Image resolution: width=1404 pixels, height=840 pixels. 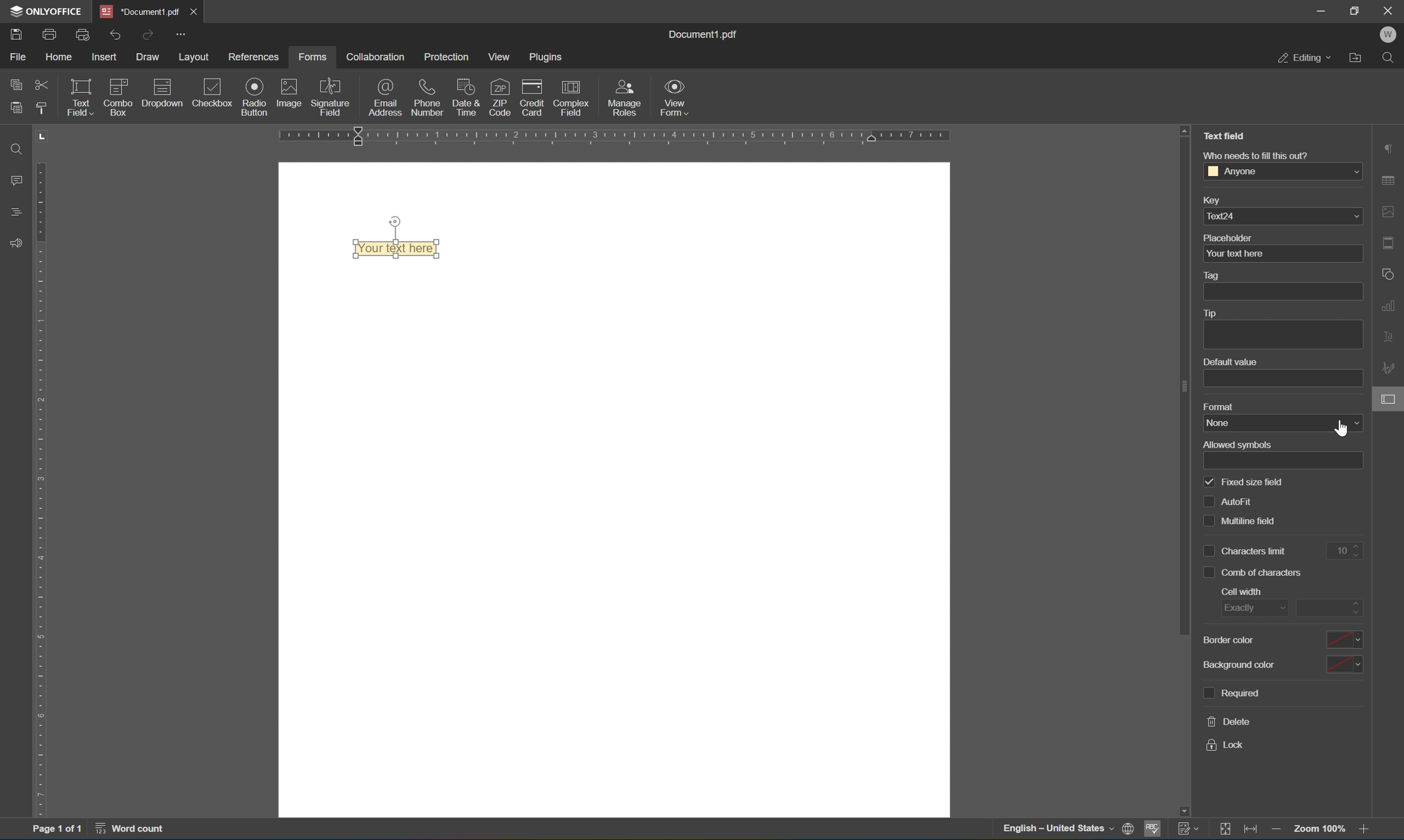 I want to click on placeholder, so click(x=1228, y=238).